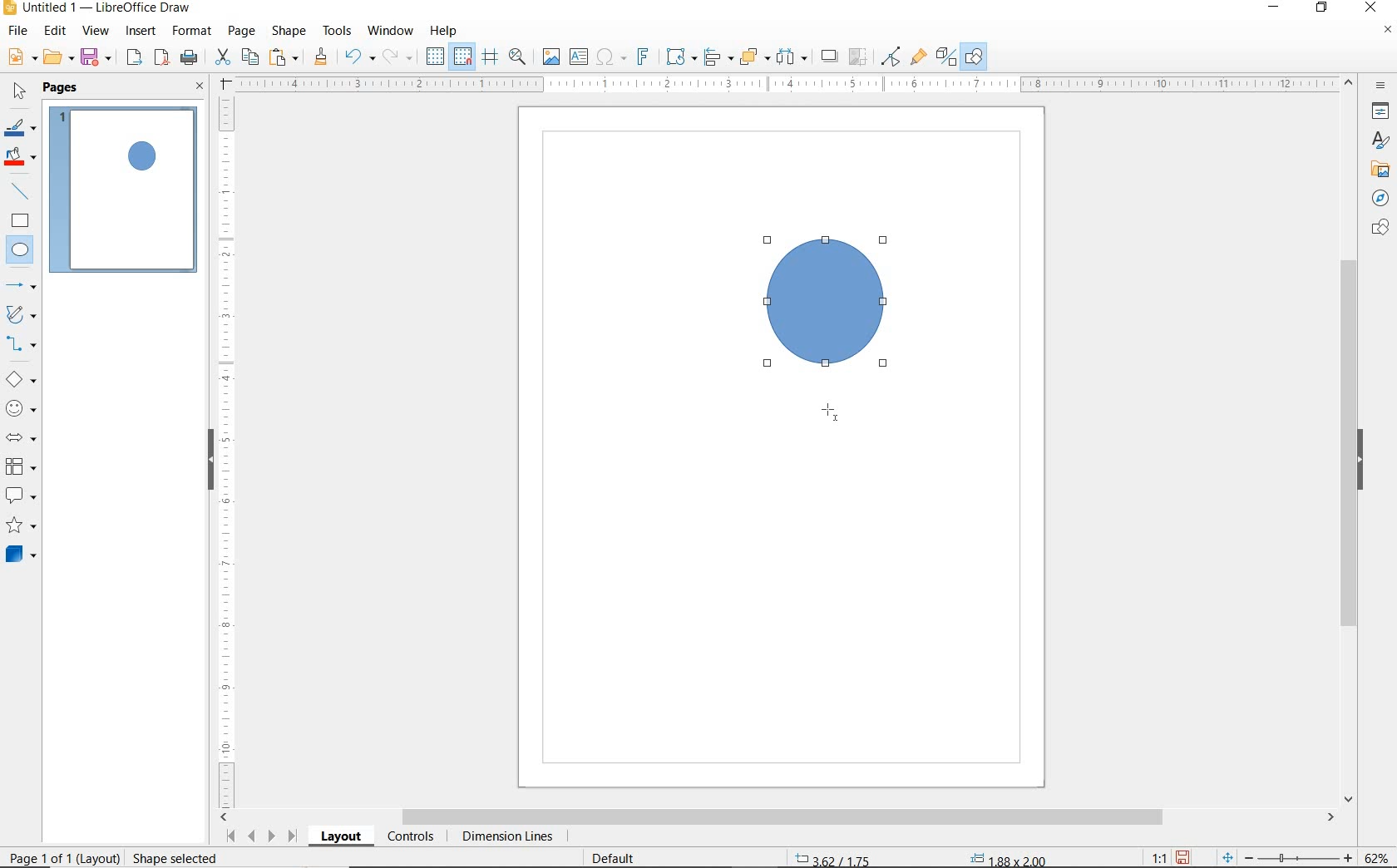  I want to click on BLOCK ARROWS, so click(20, 435).